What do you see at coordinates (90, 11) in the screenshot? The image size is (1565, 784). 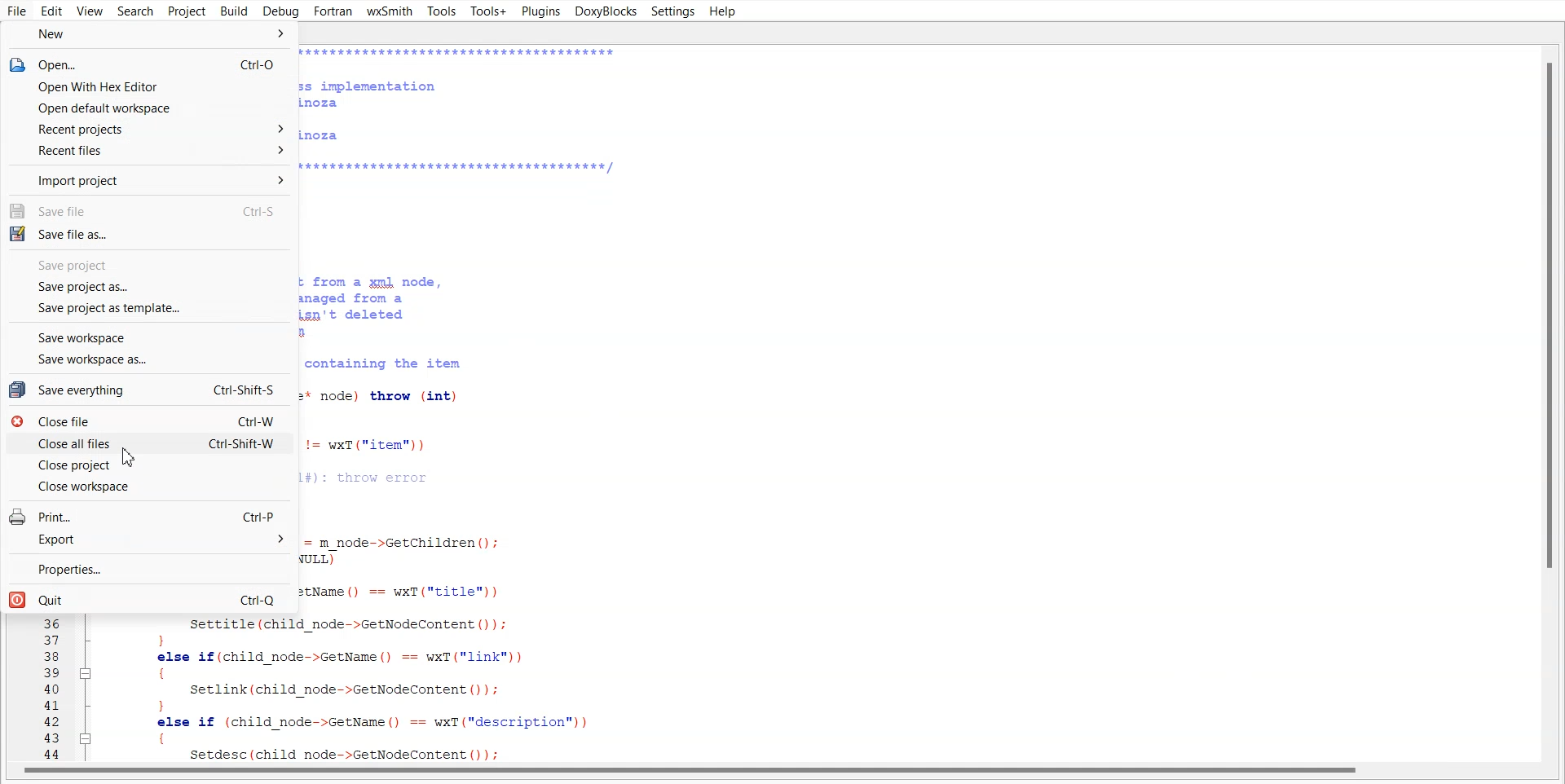 I see `View` at bounding box center [90, 11].